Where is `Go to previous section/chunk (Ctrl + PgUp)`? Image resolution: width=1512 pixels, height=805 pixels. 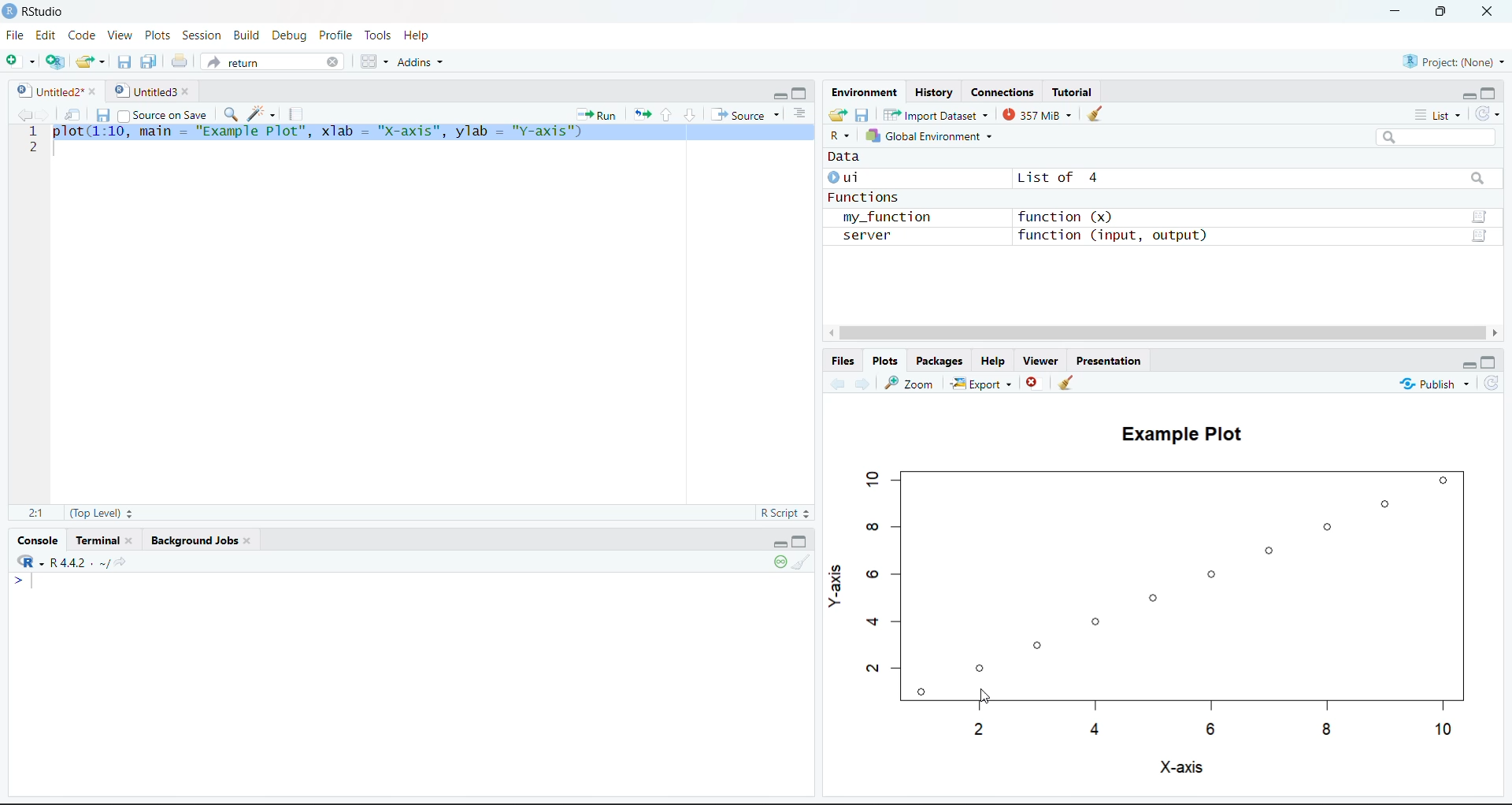 Go to previous section/chunk (Ctrl + PgUp) is located at coordinates (666, 114).